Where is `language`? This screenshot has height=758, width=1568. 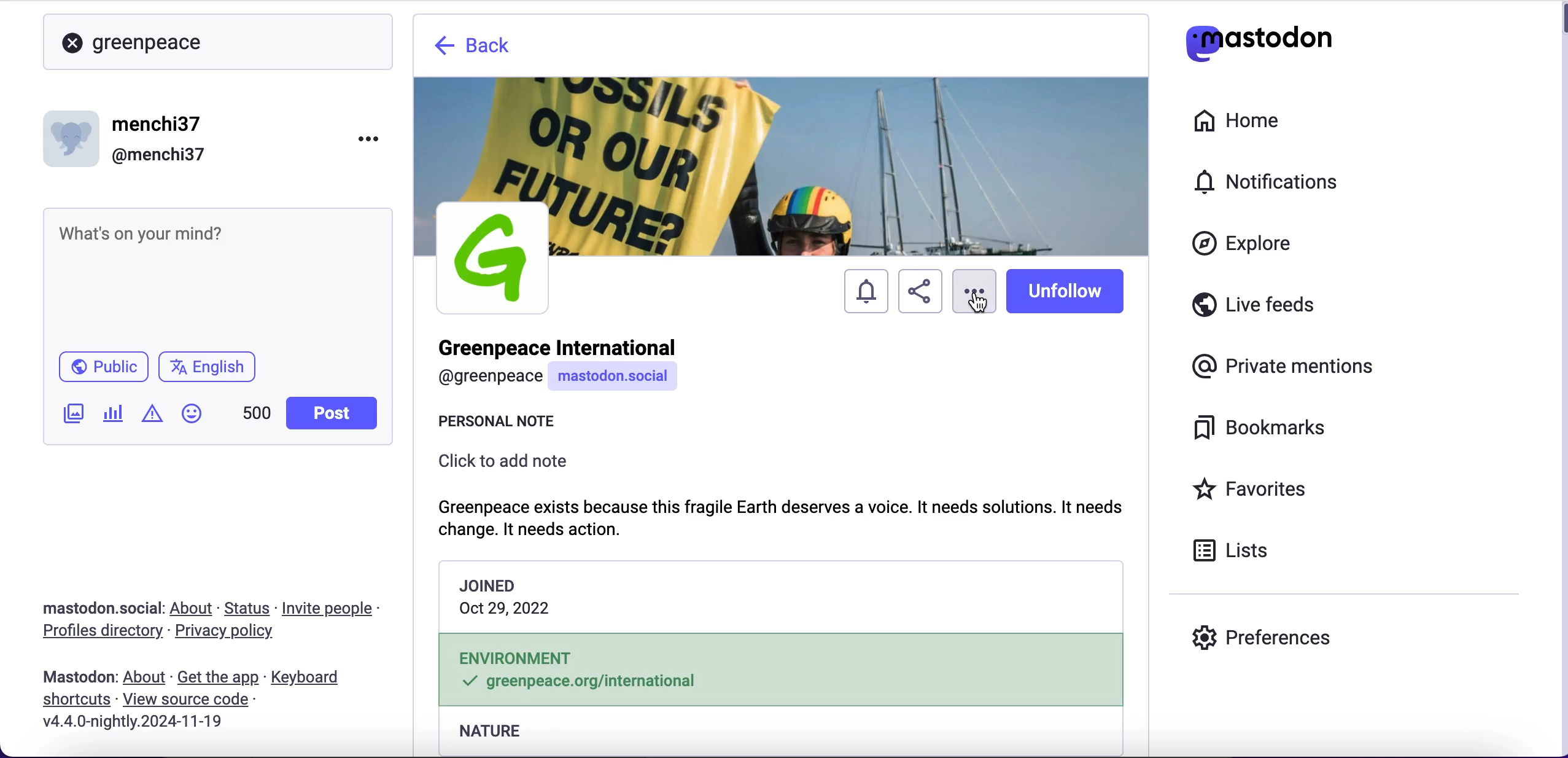
language is located at coordinates (212, 372).